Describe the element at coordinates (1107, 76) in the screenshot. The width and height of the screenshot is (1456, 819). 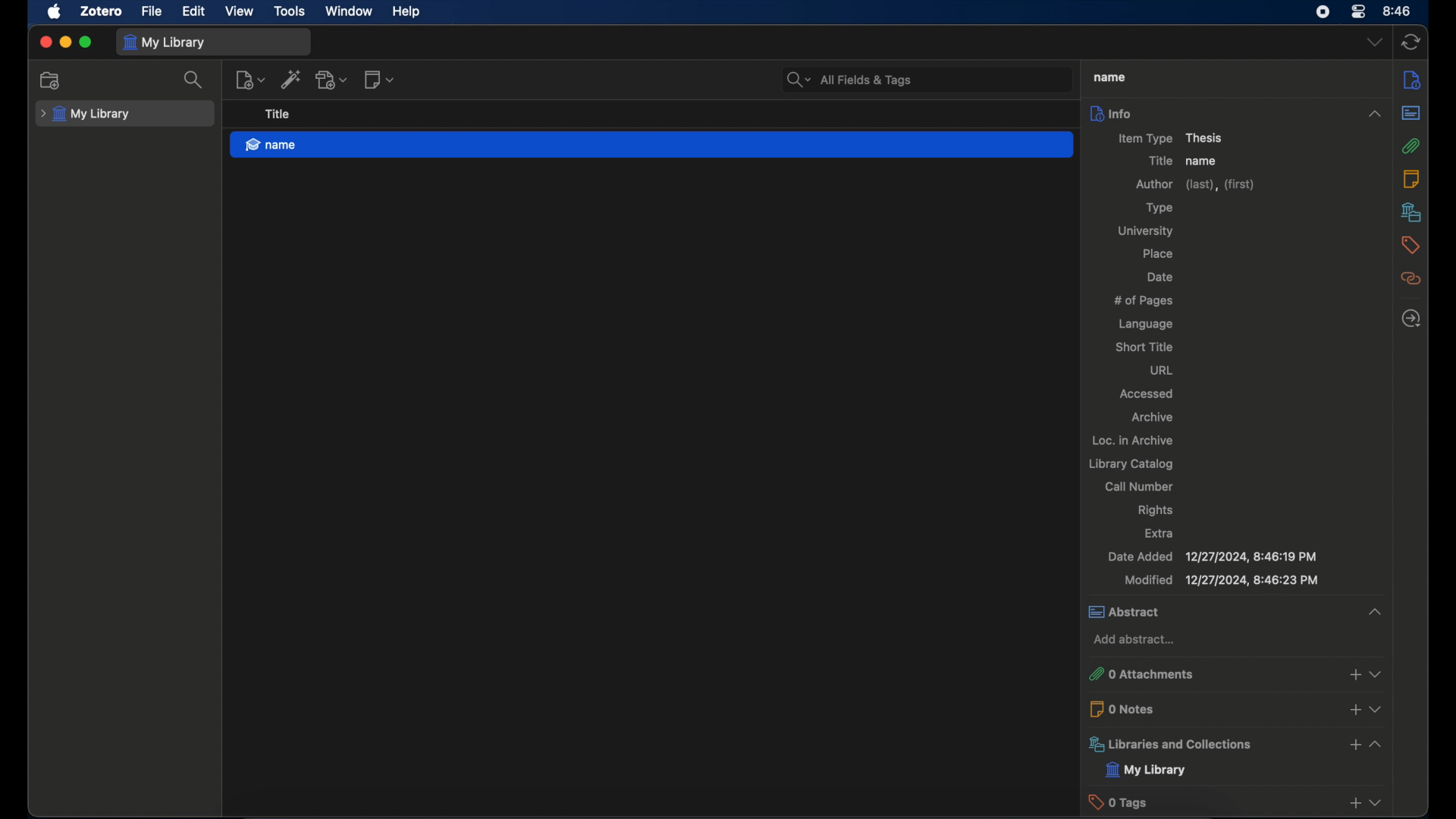
I see `title` at that location.